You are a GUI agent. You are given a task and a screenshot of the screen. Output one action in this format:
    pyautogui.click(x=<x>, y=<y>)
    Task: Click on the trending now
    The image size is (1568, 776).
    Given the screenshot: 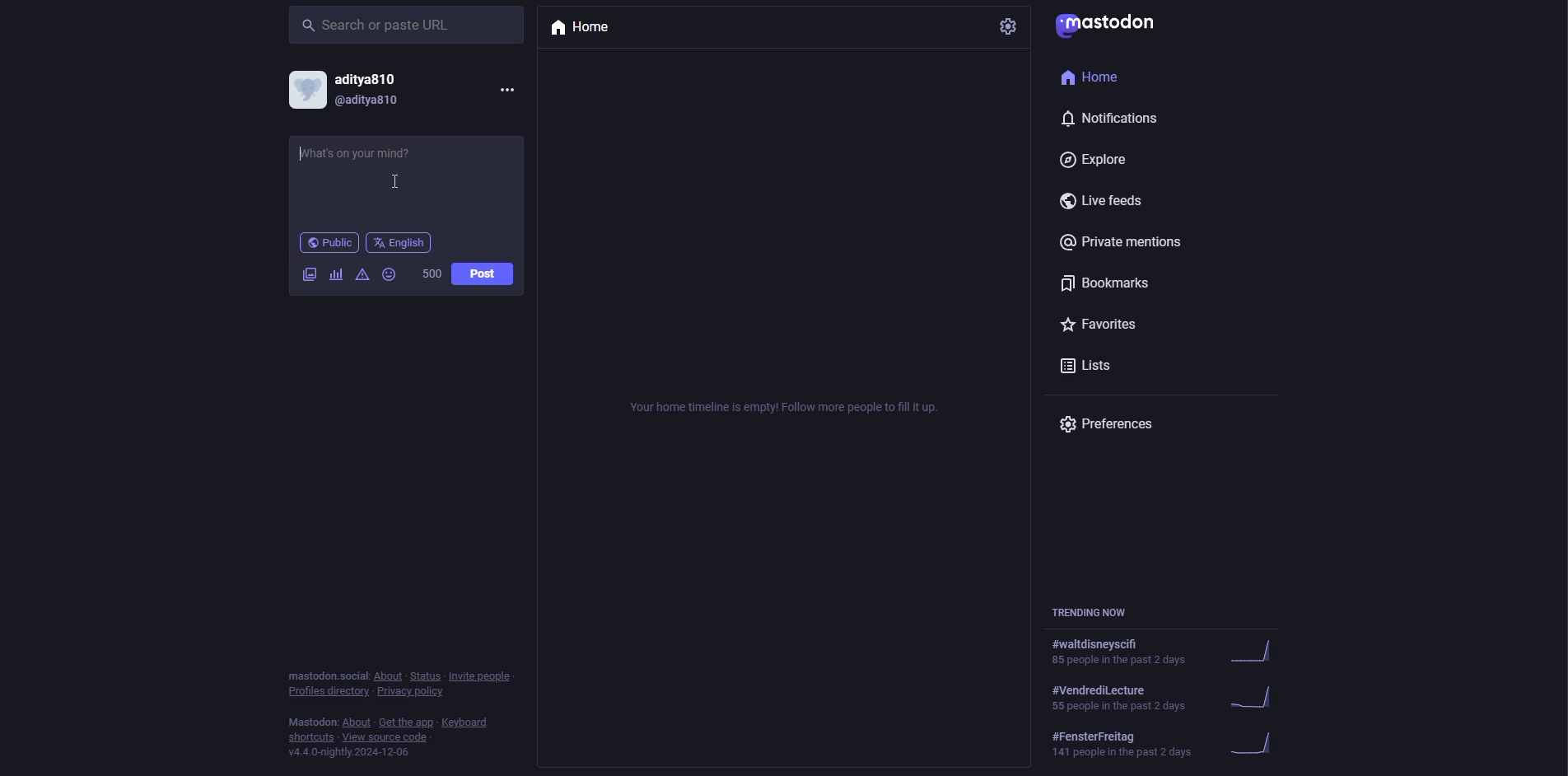 What is the action you would take?
    pyautogui.click(x=1095, y=610)
    